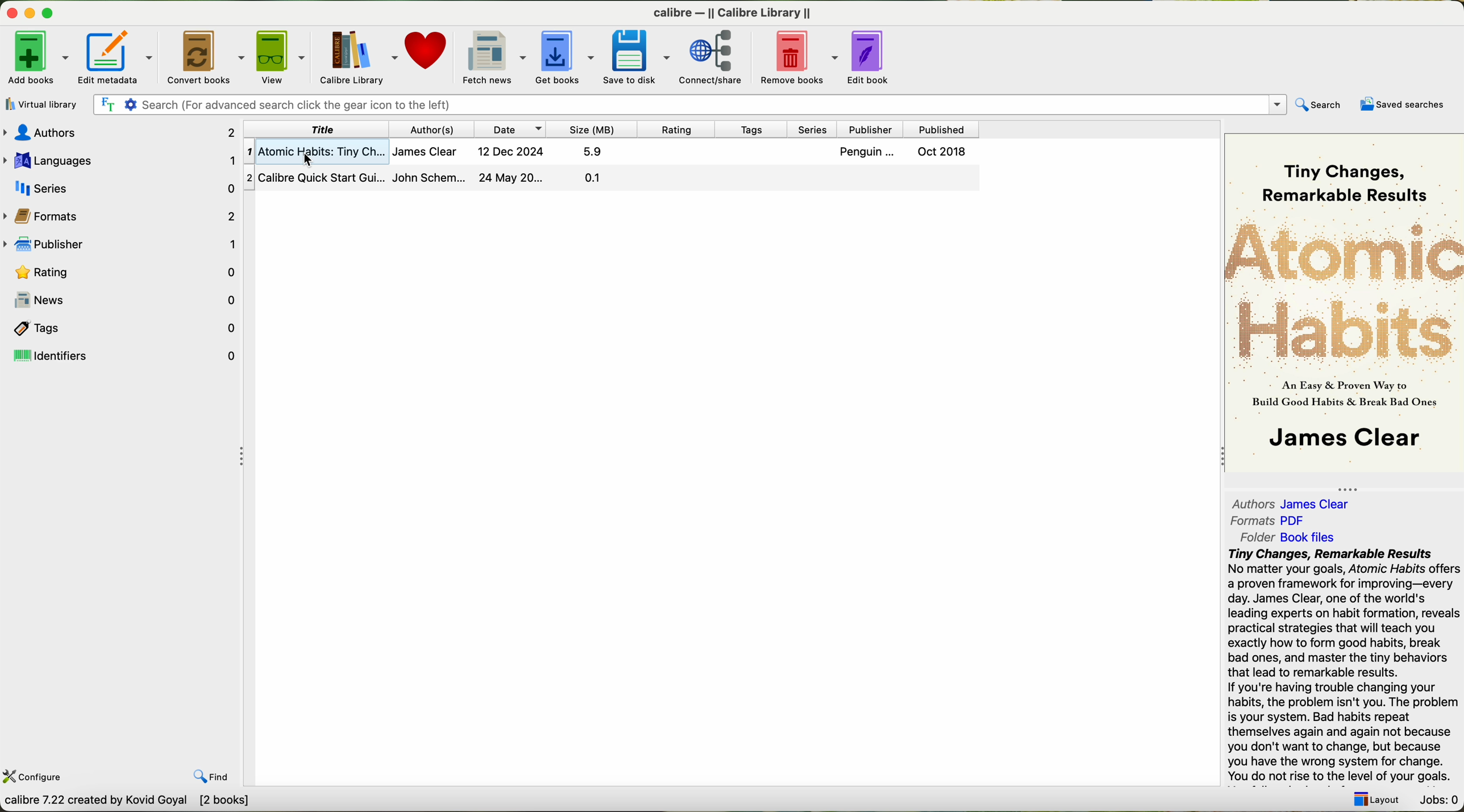  What do you see at coordinates (1440, 801) in the screenshot?
I see `Jobs: 0` at bounding box center [1440, 801].